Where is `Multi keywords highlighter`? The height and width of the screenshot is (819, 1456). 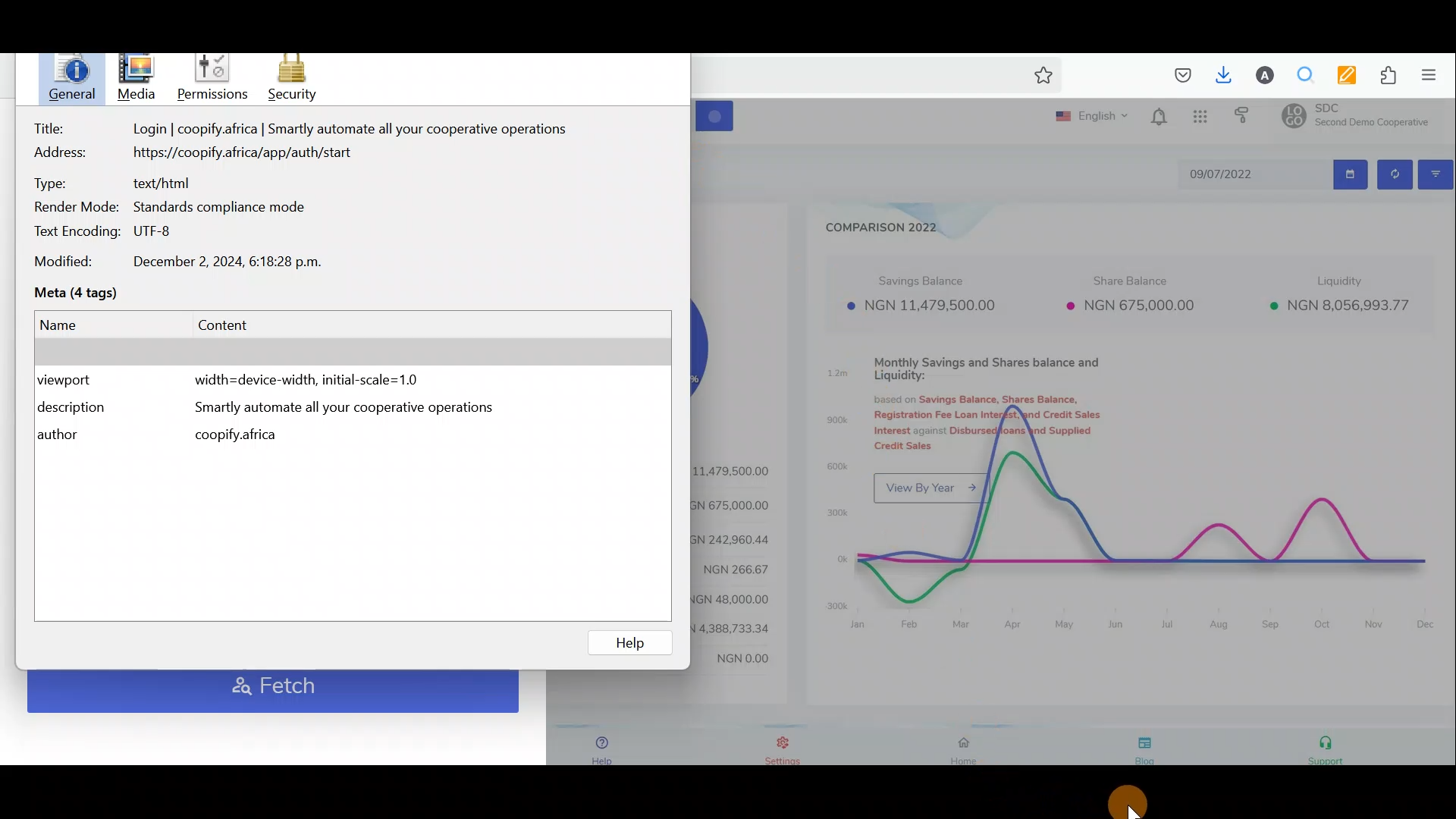 Multi keywords highlighter is located at coordinates (1340, 75).